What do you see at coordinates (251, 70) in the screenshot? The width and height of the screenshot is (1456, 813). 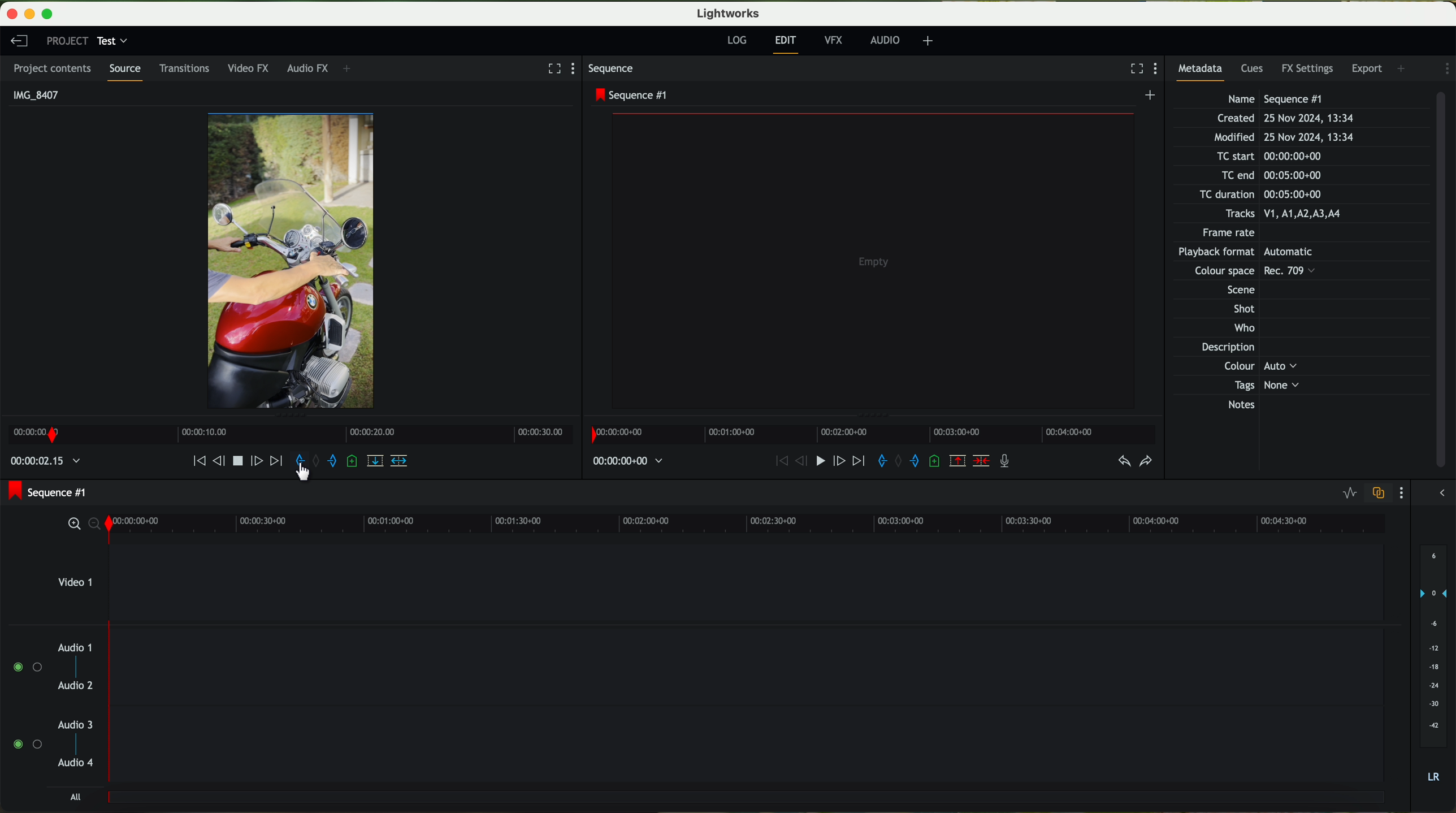 I see `video FX` at bounding box center [251, 70].